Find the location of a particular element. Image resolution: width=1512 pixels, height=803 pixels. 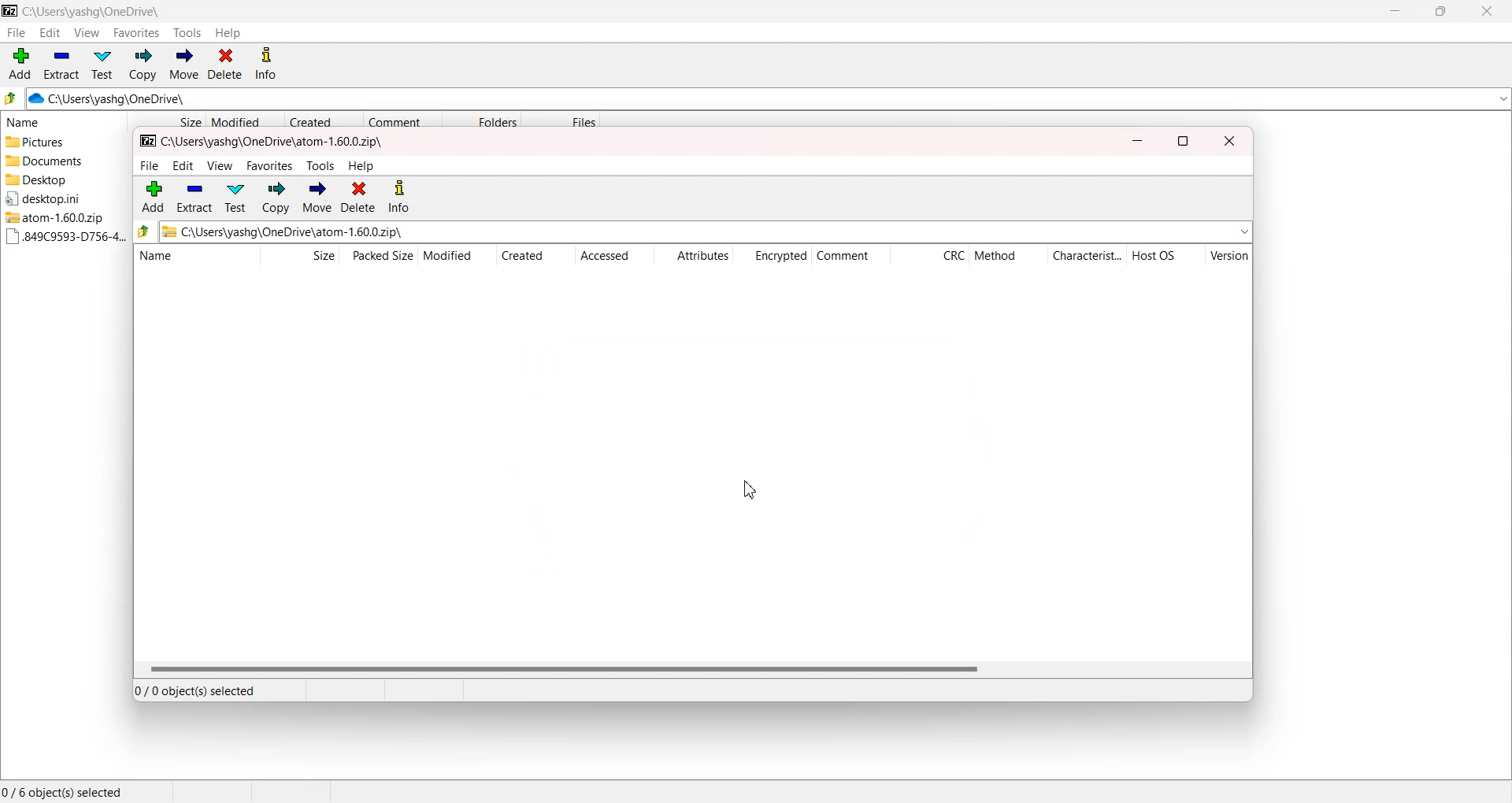

minimize is located at coordinates (1137, 142).